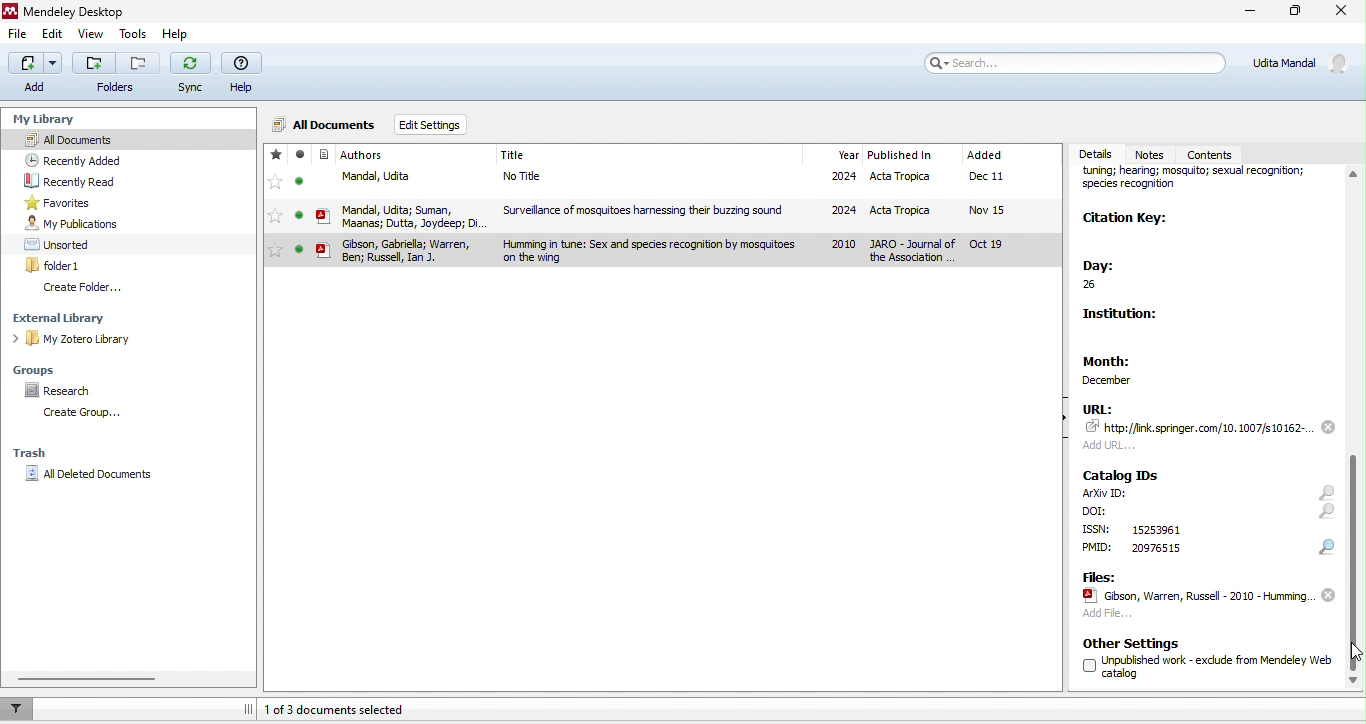 This screenshot has height=724, width=1366. I want to click on groups, so click(41, 368).